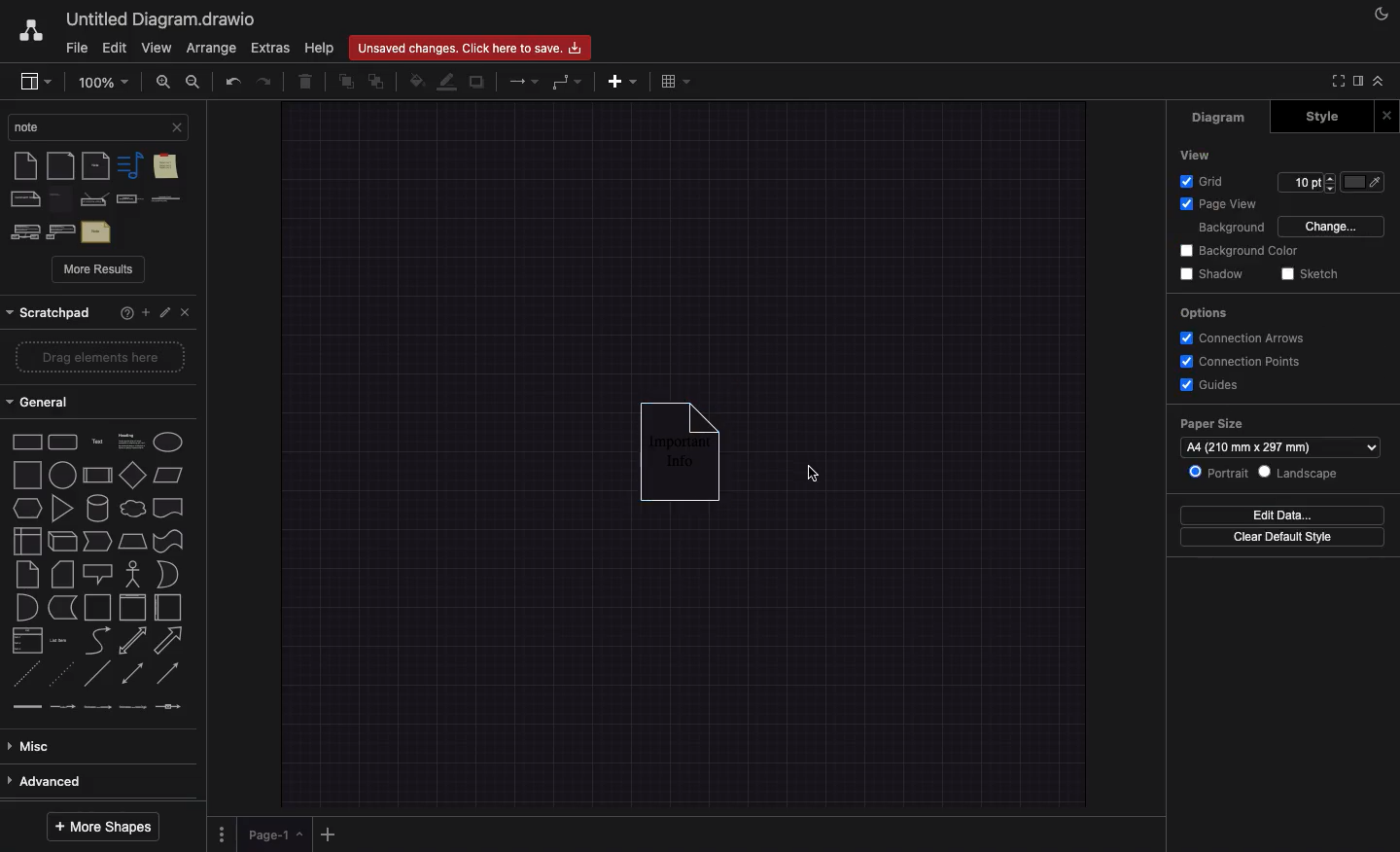 The height and width of the screenshot is (852, 1400). I want to click on Sidebar, so click(1361, 83).